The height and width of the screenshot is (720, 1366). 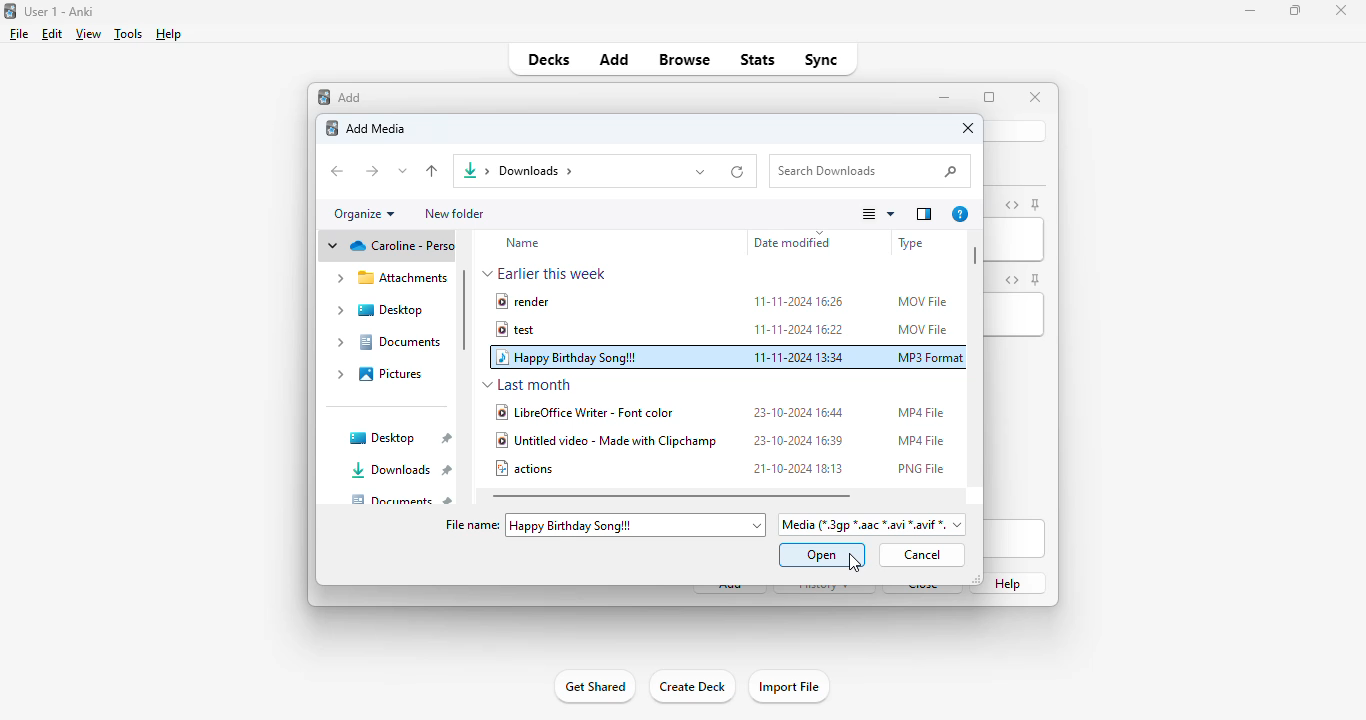 What do you see at coordinates (546, 273) in the screenshot?
I see `earlier this week` at bounding box center [546, 273].